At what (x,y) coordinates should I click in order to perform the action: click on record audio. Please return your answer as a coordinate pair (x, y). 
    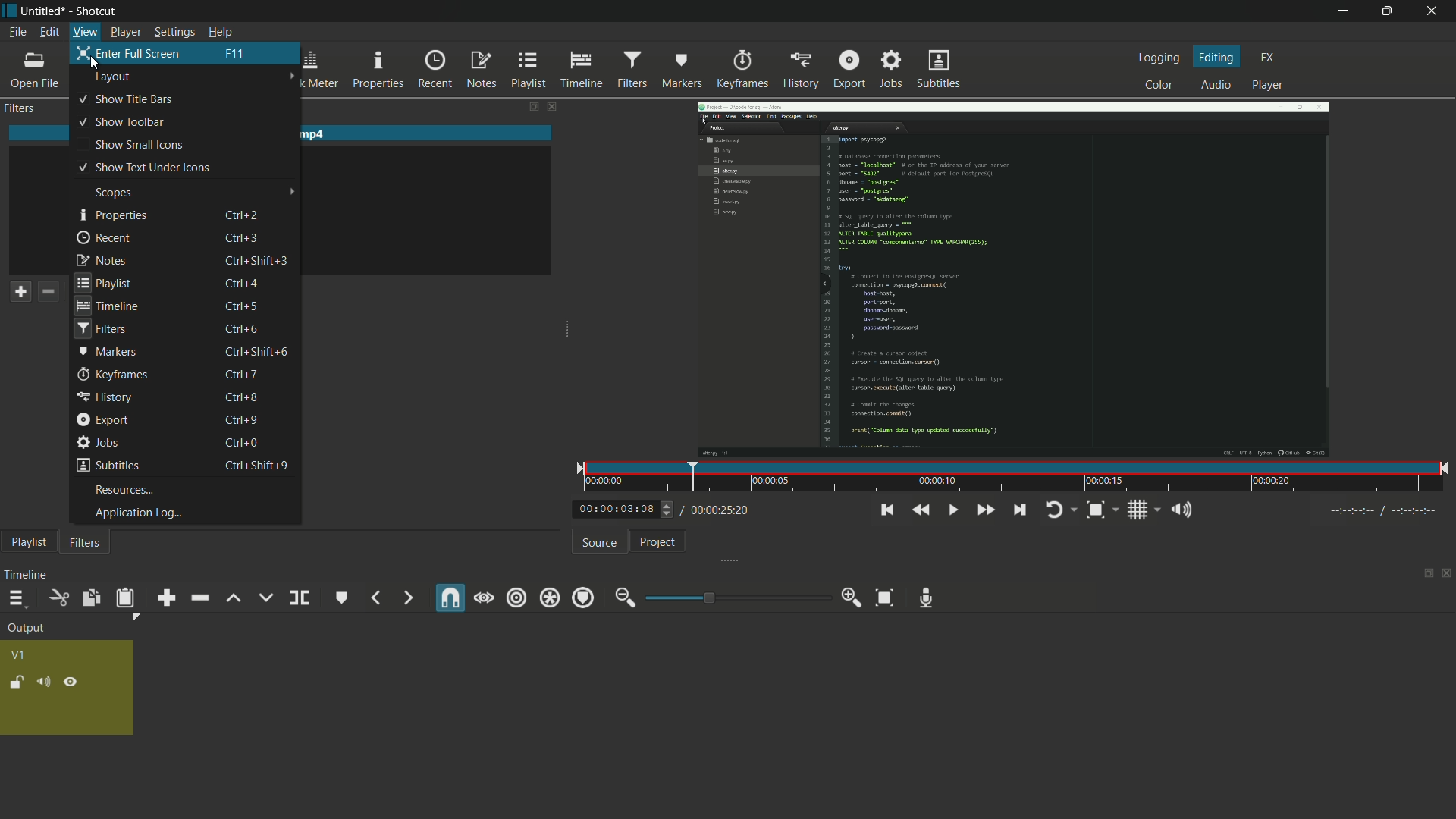
    Looking at the image, I should click on (929, 598).